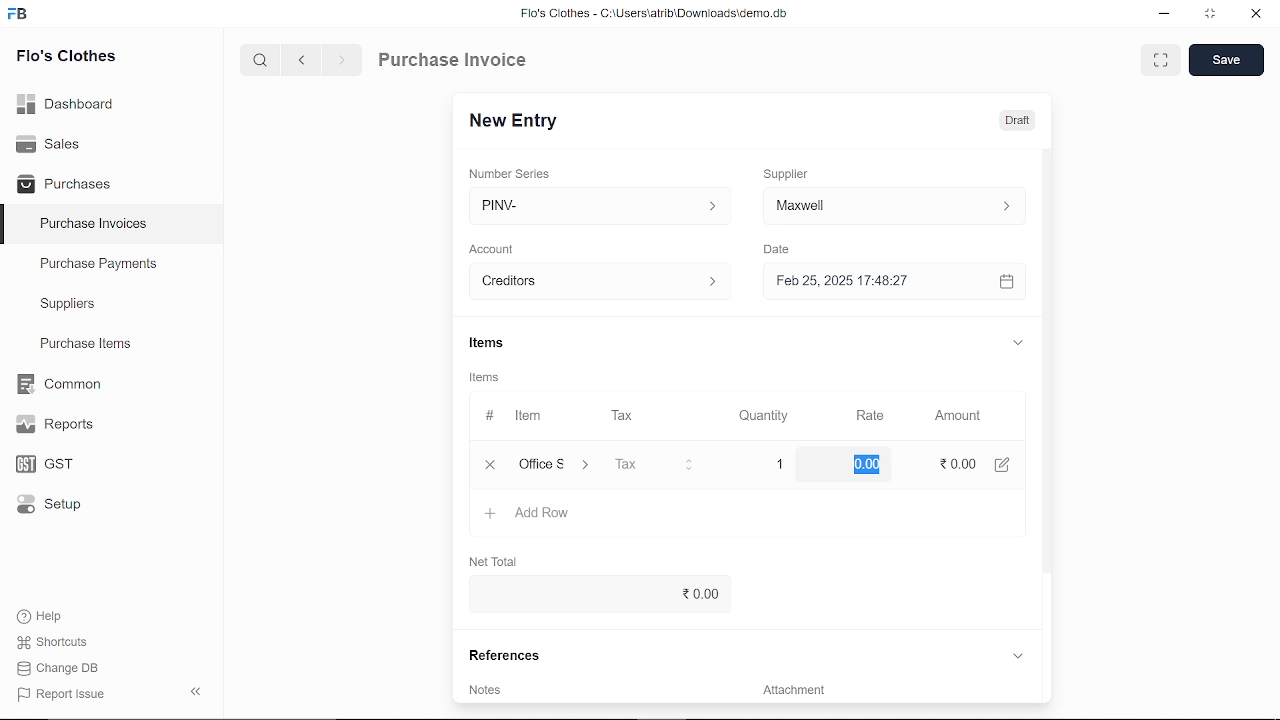 Image resolution: width=1280 pixels, height=720 pixels. Describe the element at coordinates (66, 102) in the screenshot. I see `Dashboard` at that location.